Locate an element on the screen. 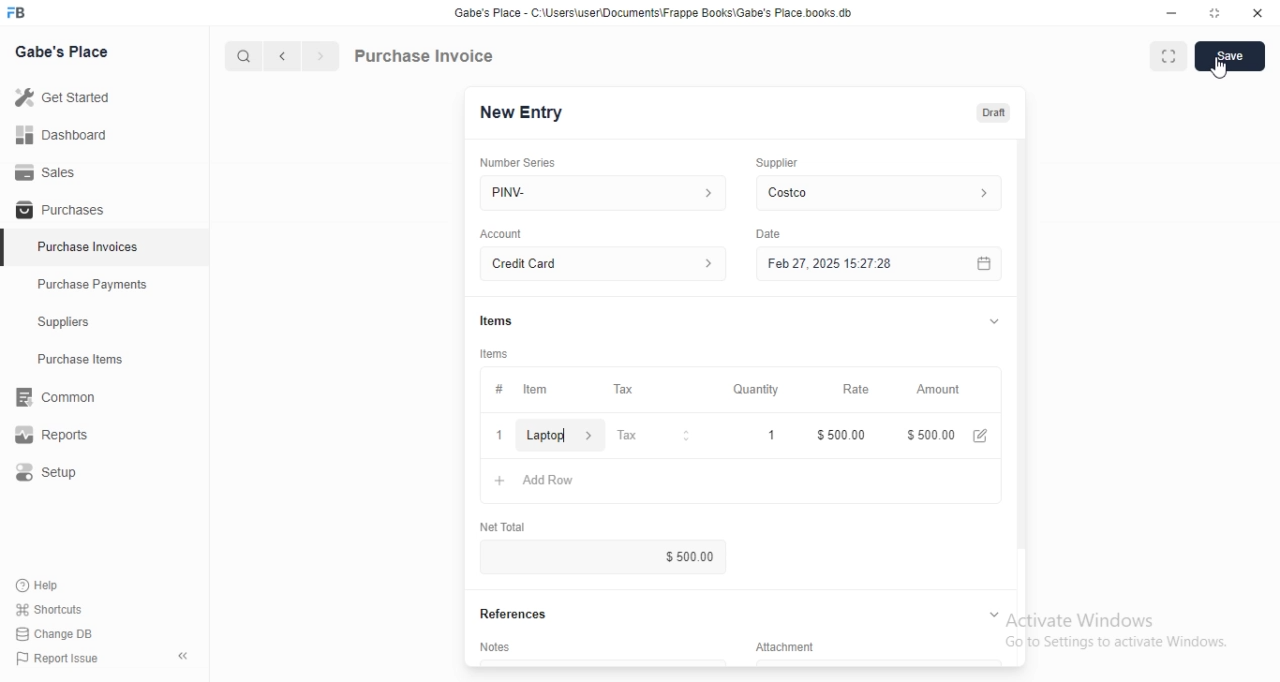  Toggle between form and full width is located at coordinates (1169, 56).